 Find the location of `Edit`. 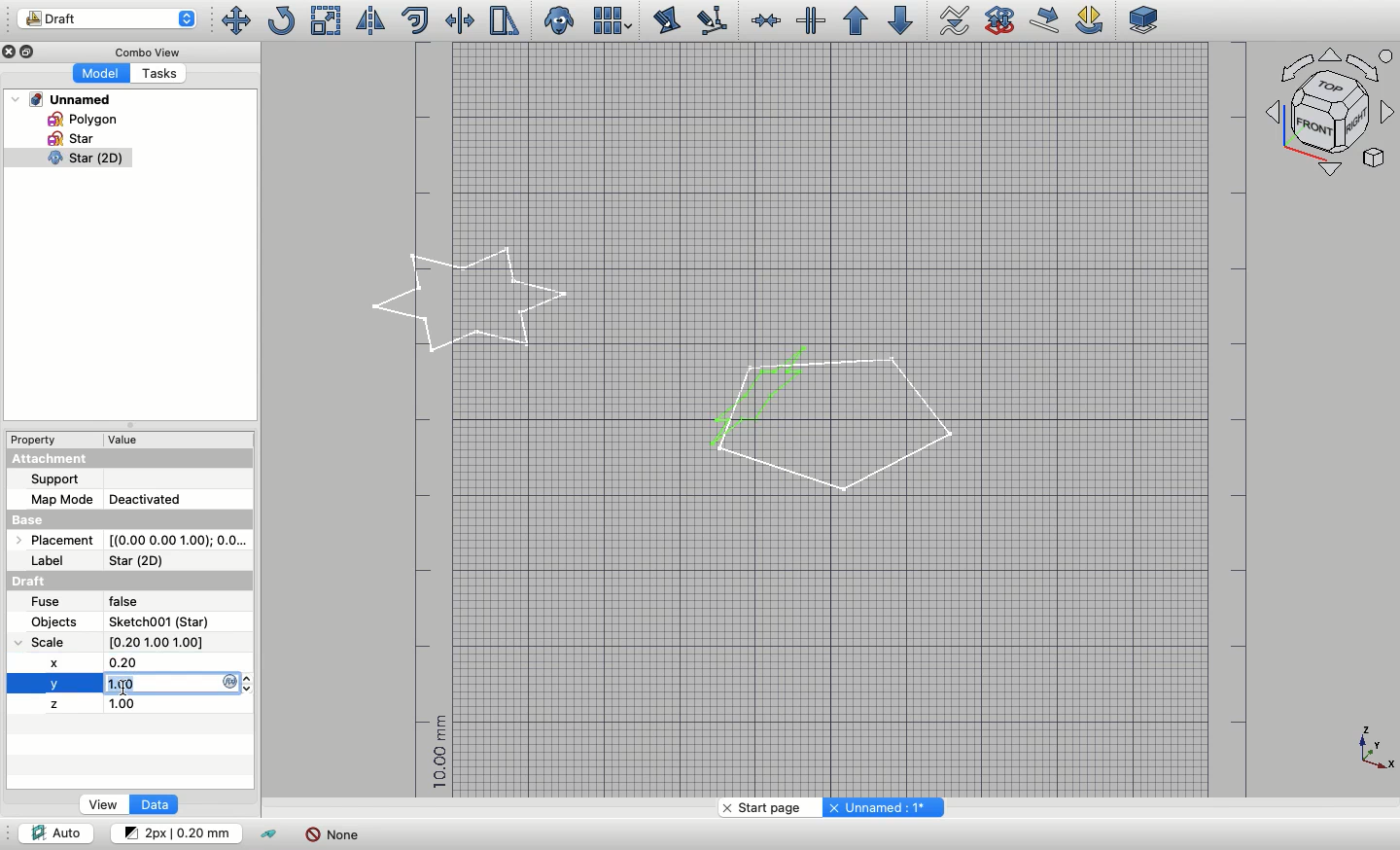

Edit is located at coordinates (667, 20).